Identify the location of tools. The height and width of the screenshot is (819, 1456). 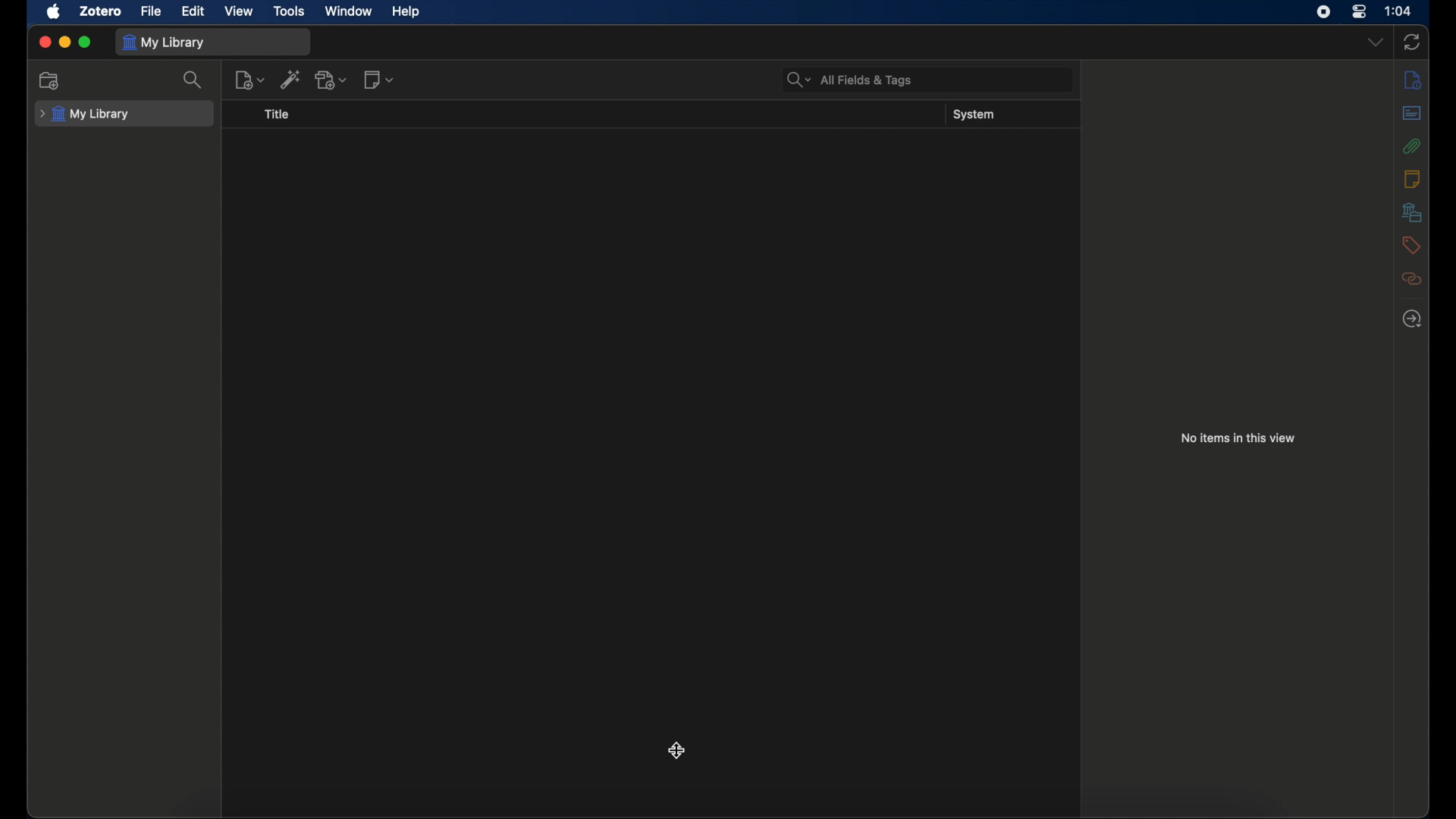
(290, 11).